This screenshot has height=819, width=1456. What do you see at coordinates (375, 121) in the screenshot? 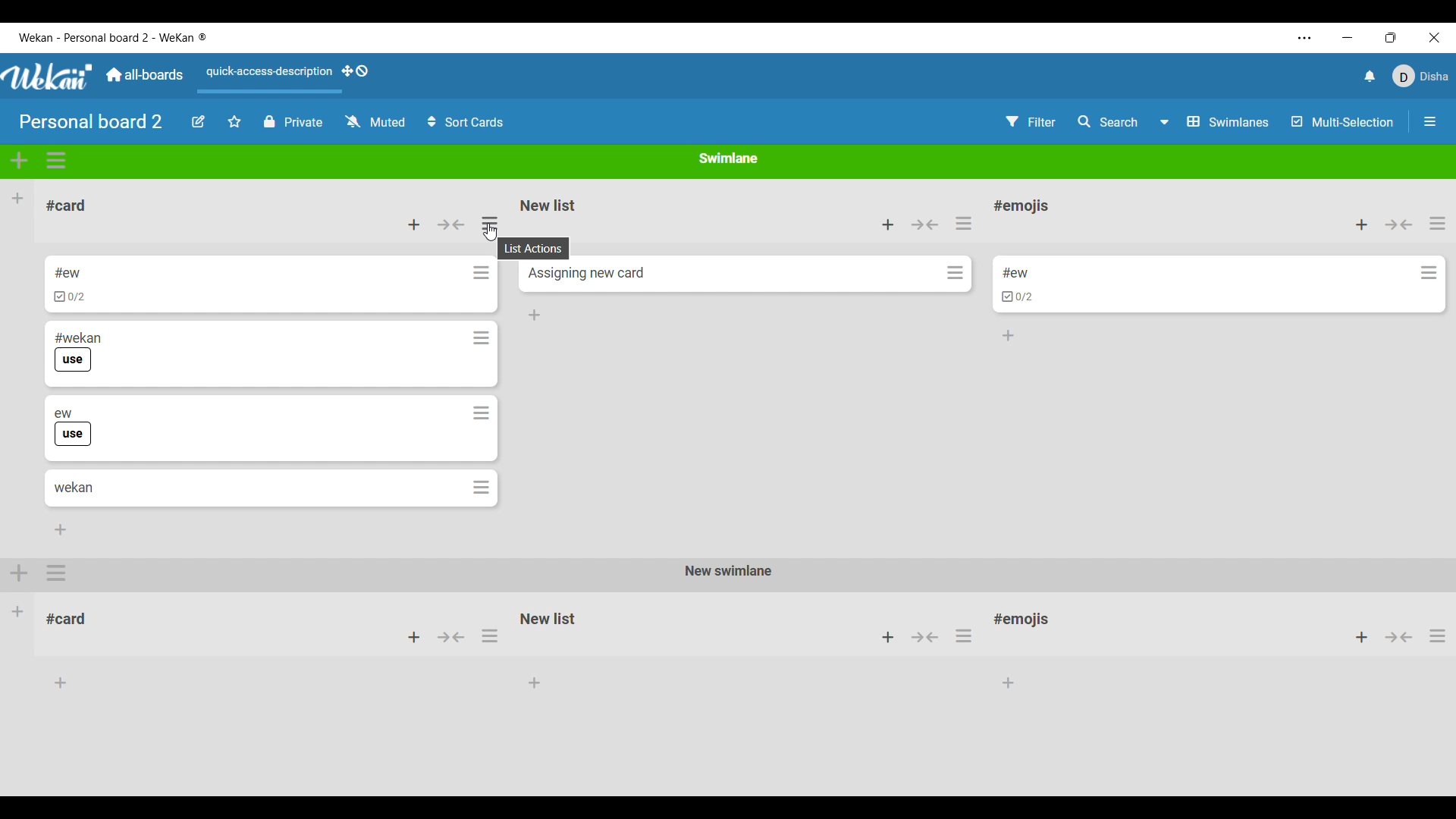
I see `Watch options` at bounding box center [375, 121].